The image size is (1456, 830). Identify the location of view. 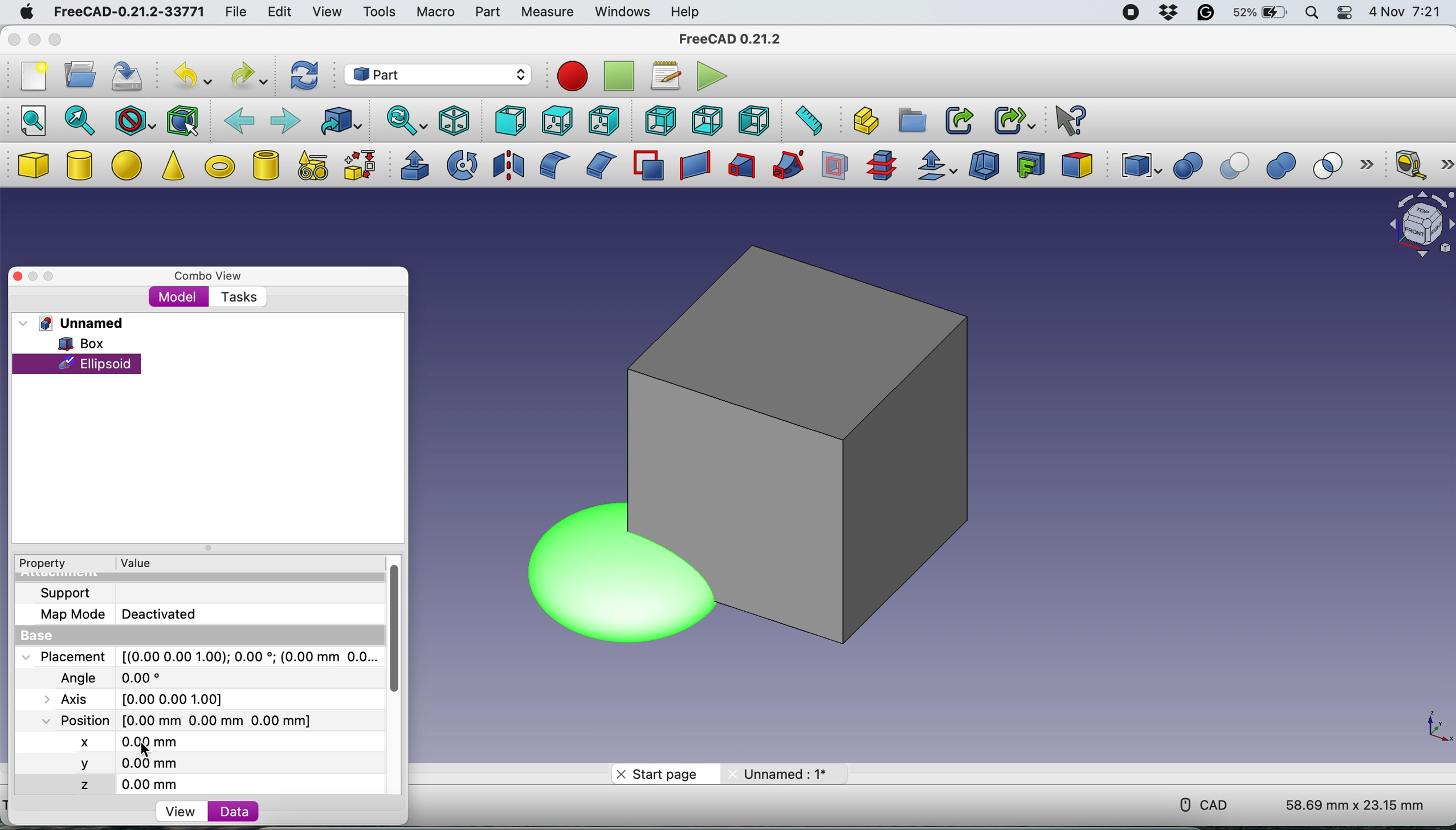
(326, 11).